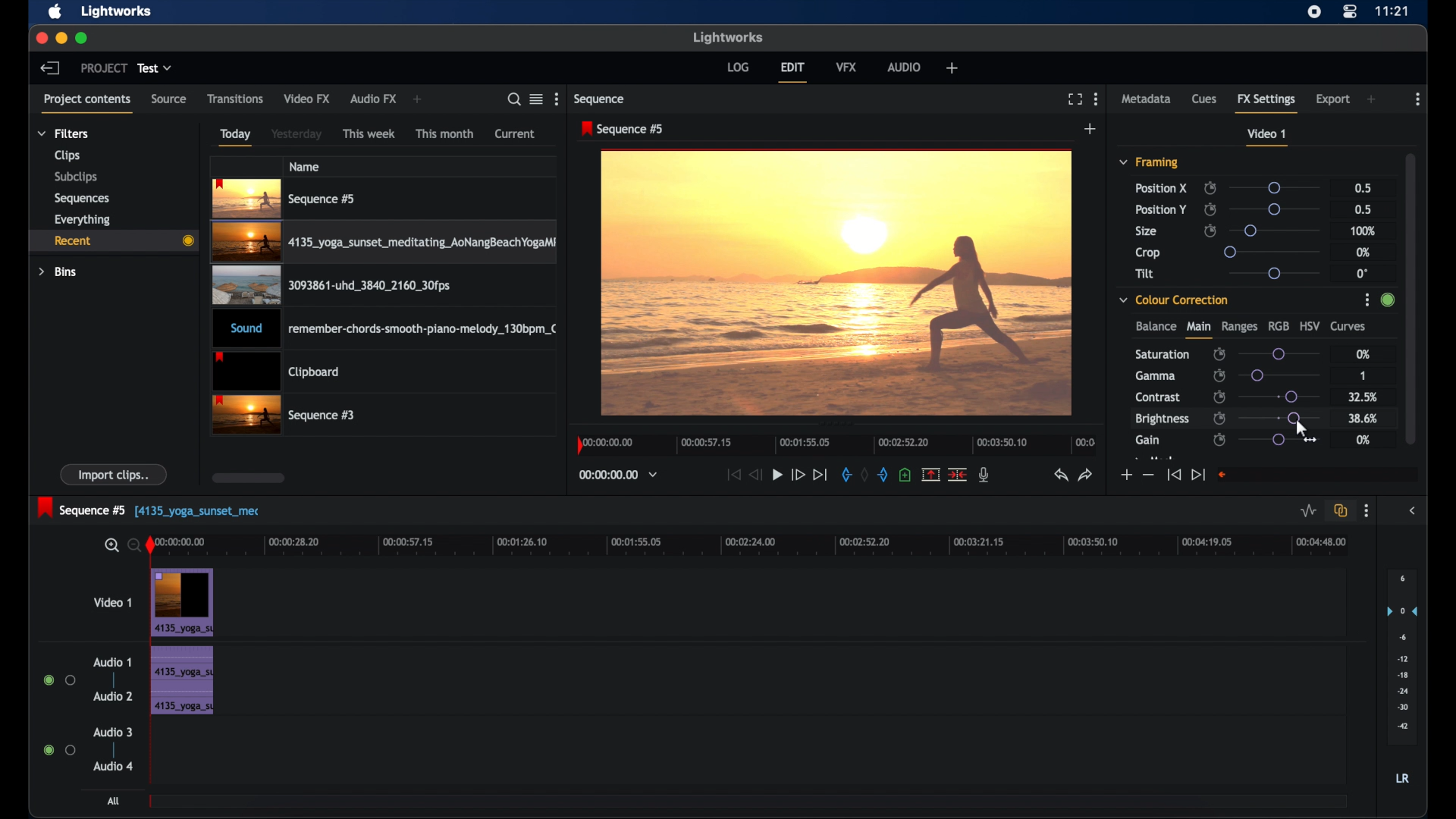 The image size is (1456, 819). What do you see at coordinates (757, 475) in the screenshot?
I see `rewind` at bounding box center [757, 475].